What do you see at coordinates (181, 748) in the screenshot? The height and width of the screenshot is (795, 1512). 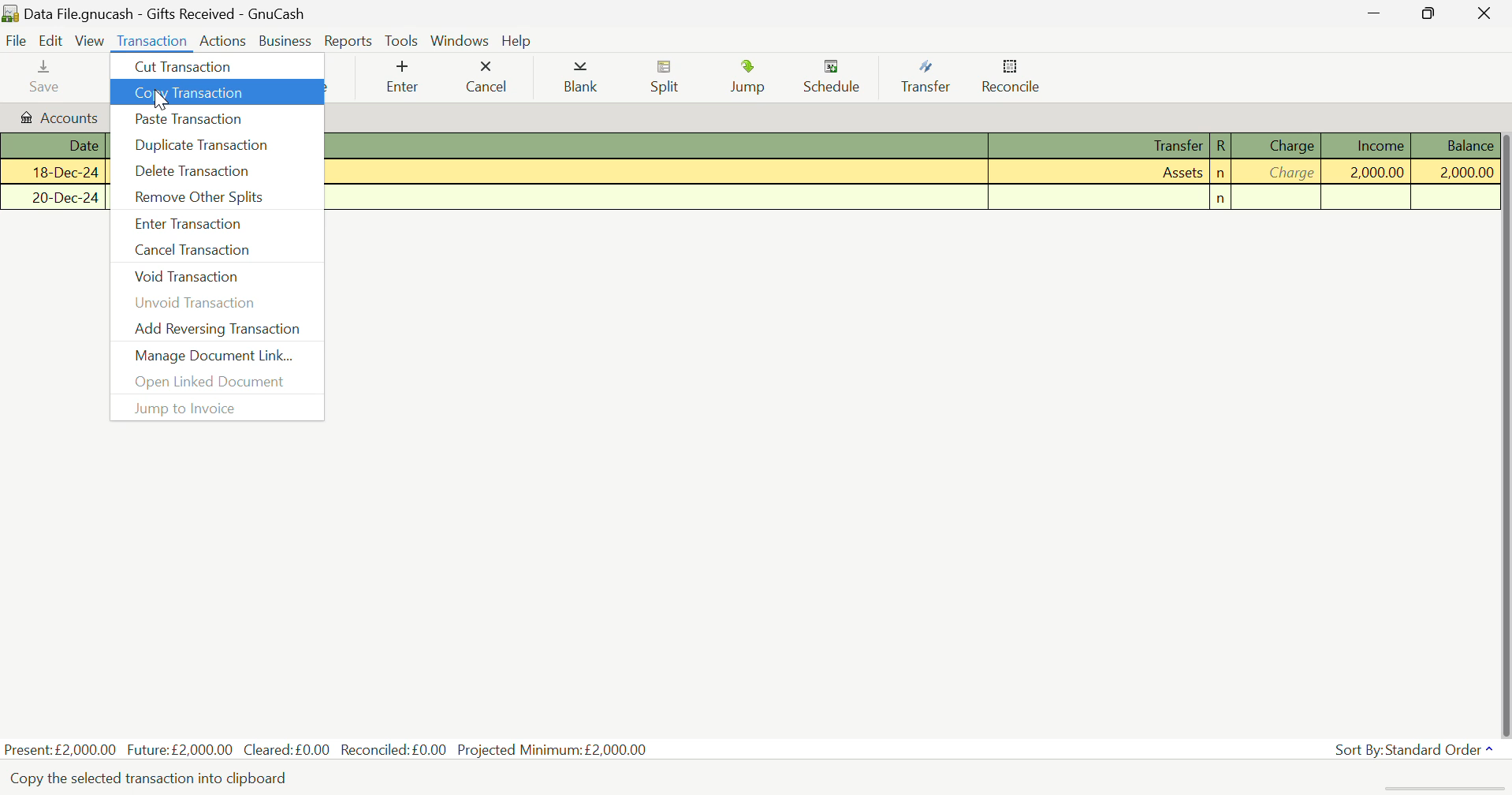 I see `Future` at bounding box center [181, 748].